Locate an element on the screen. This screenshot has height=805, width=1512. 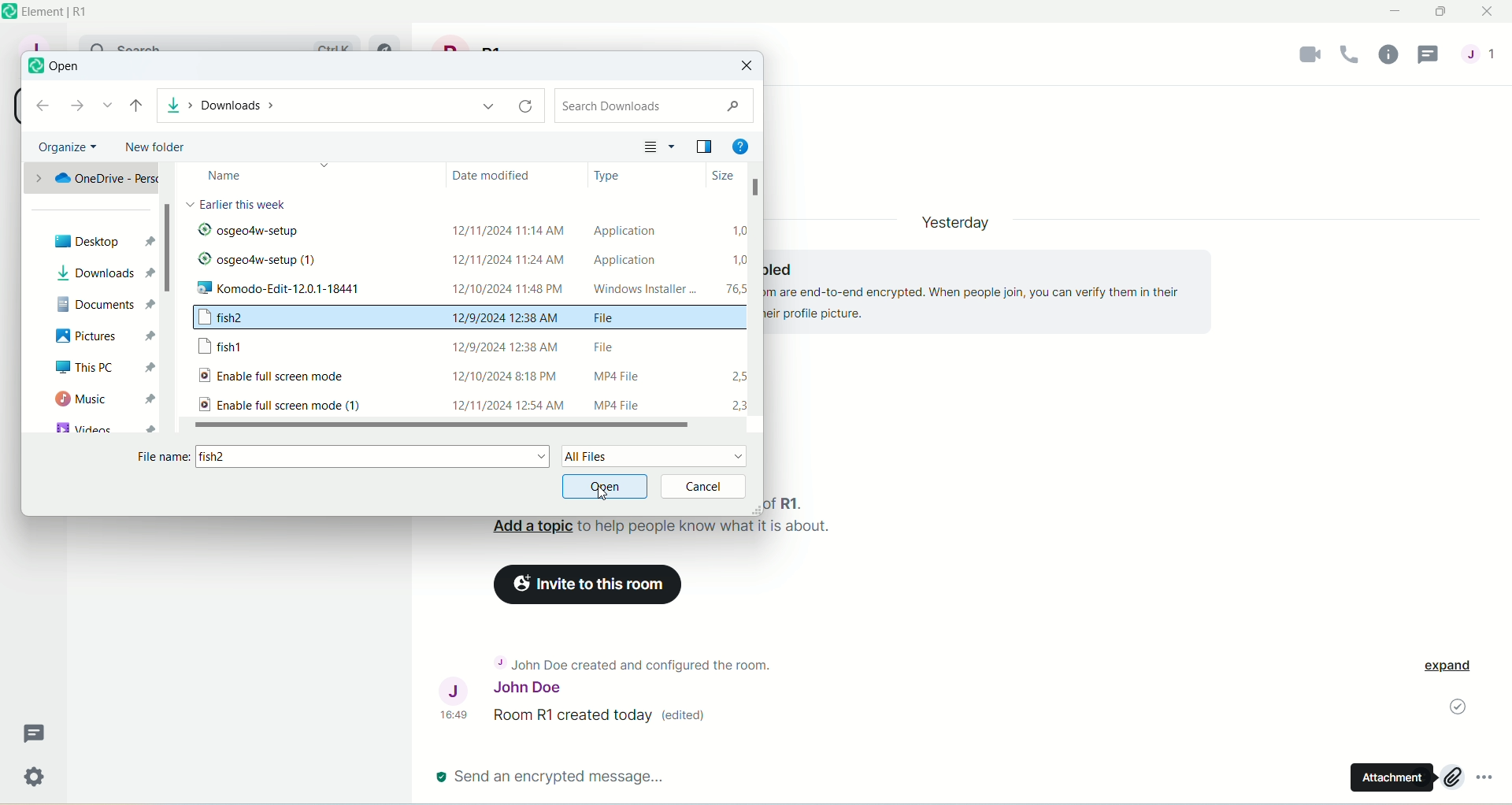
» osgeodw-setup (1) is located at coordinates (260, 262).